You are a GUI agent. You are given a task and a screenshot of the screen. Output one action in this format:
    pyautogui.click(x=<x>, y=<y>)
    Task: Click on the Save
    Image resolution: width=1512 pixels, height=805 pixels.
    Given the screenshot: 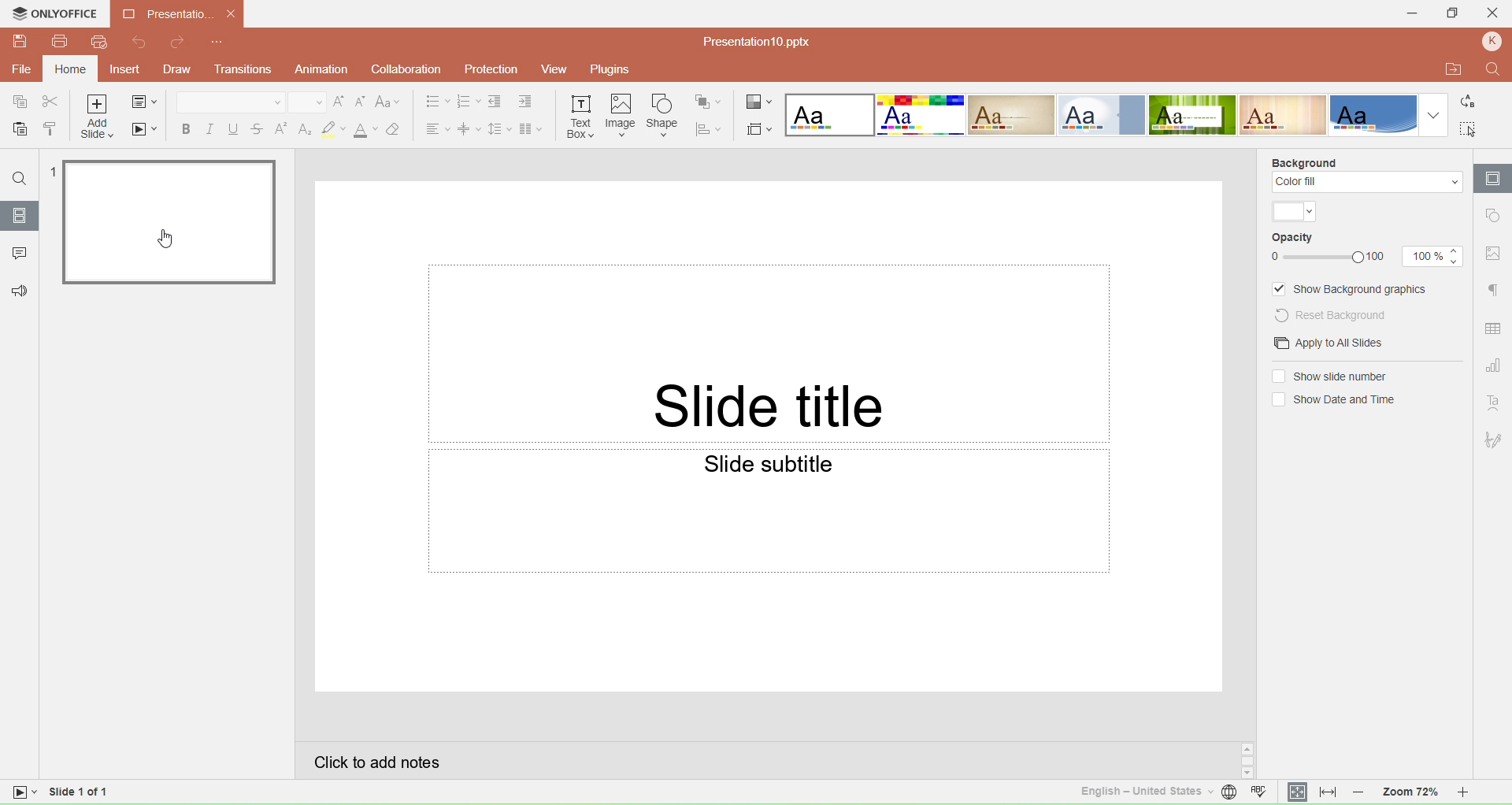 What is the action you would take?
    pyautogui.click(x=16, y=103)
    